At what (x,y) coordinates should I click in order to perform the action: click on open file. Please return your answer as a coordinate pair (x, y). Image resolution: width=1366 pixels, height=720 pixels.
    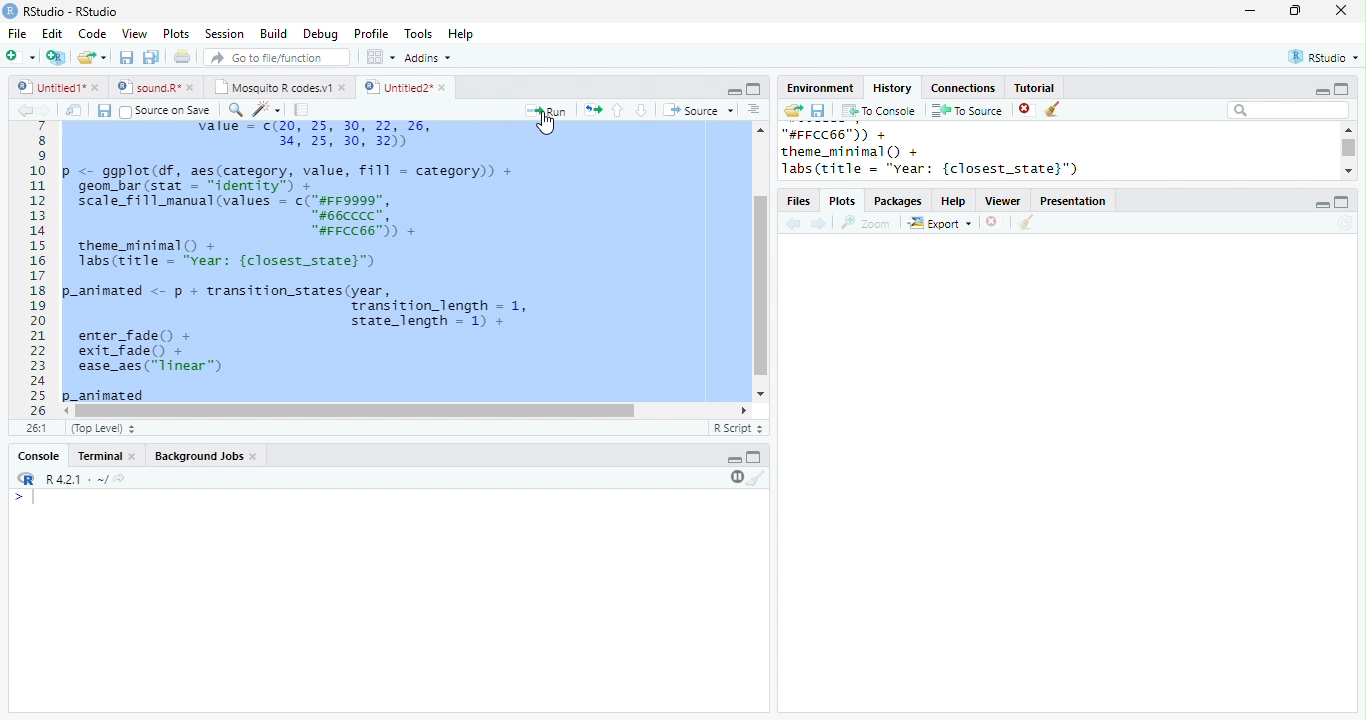
    Looking at the image, I should click on (92, 58).